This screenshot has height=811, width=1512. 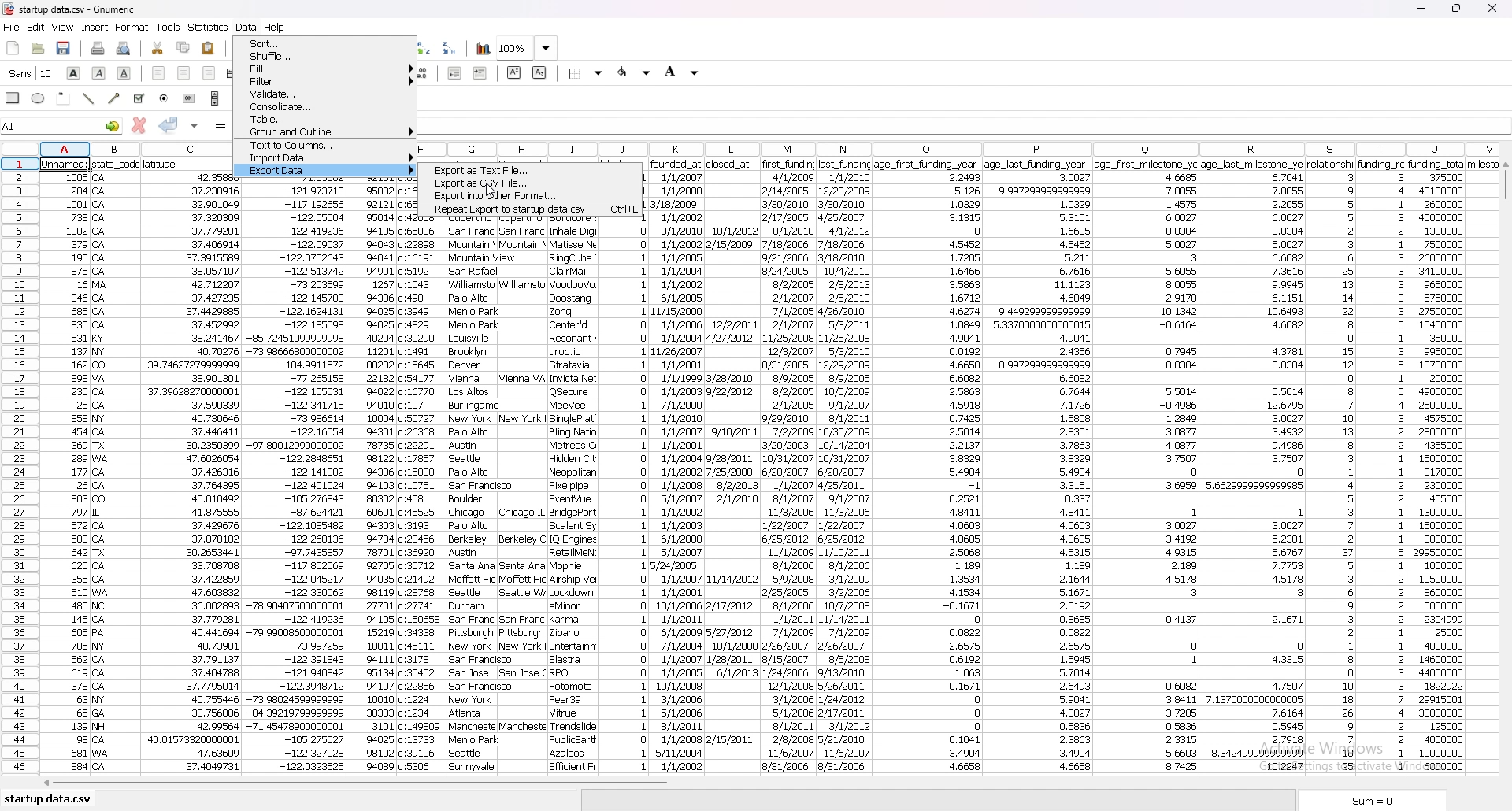 What do you see at coordinates (39, 49) in the screenshot?
I see `open` at bounding box center [39, 49].